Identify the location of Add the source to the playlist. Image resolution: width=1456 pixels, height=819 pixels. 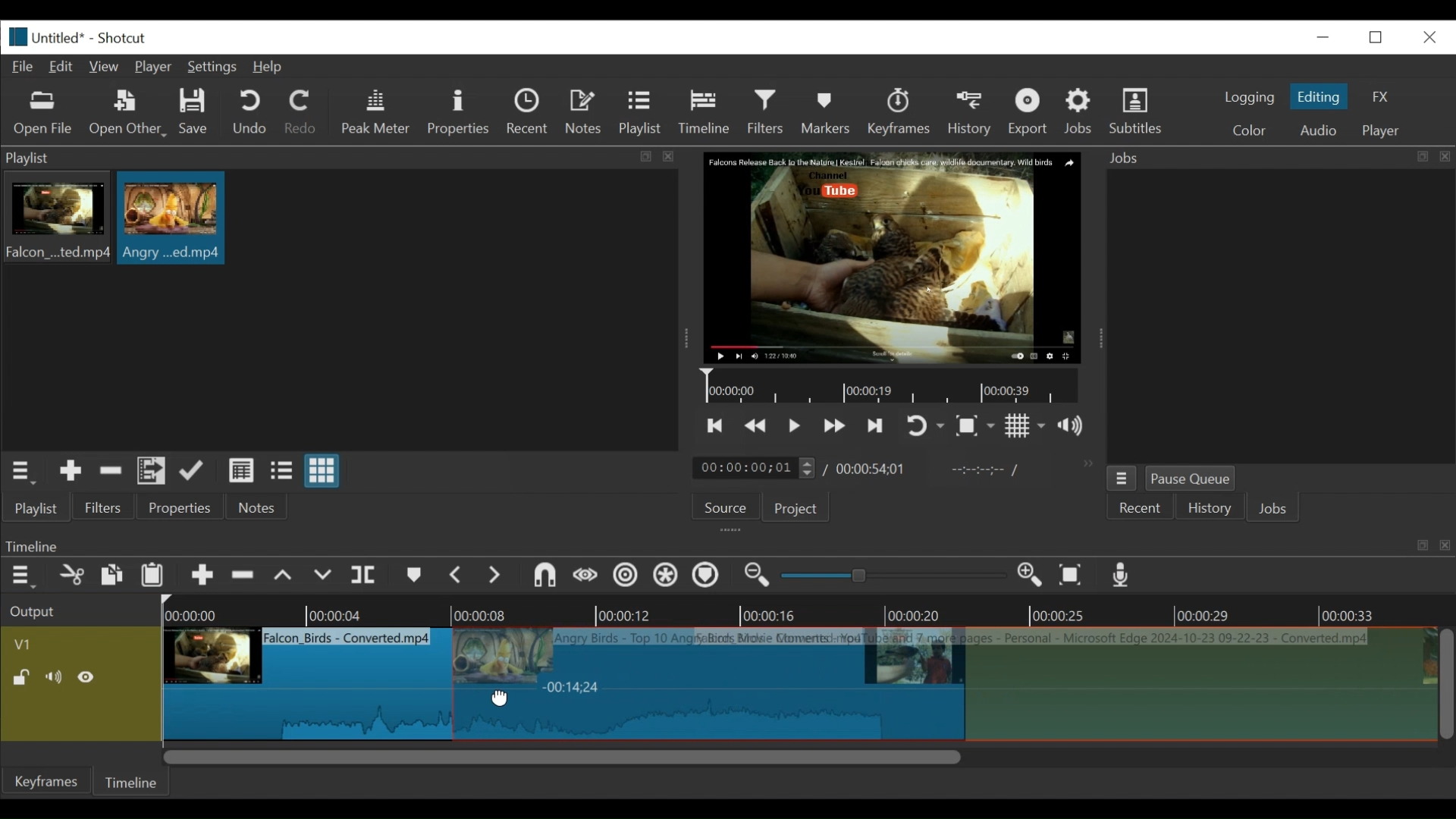
(69, 473).